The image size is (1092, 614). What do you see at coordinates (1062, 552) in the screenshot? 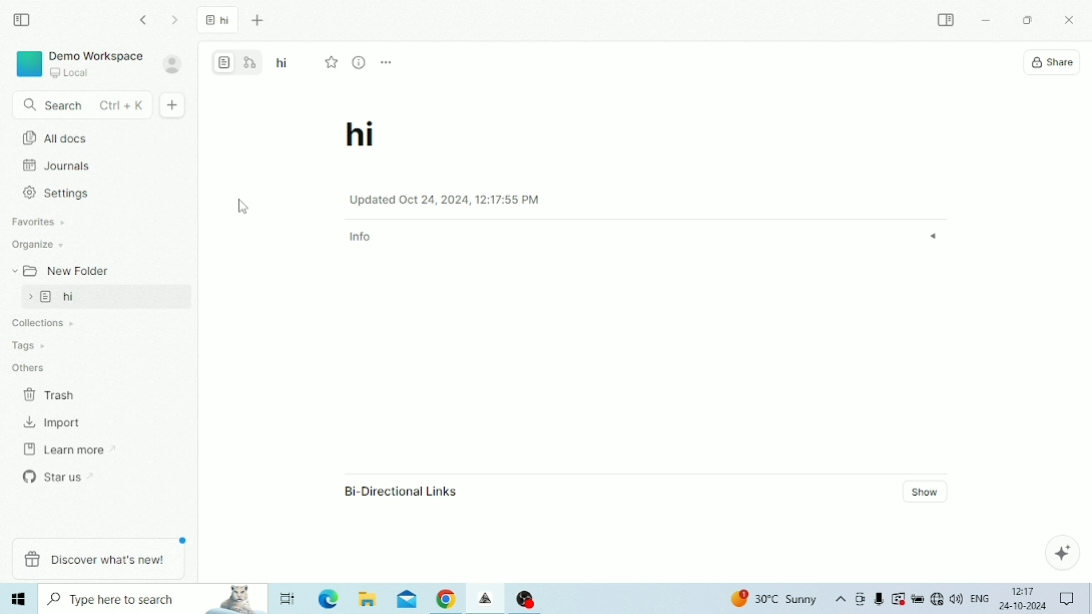
I see `Affine AI` at bounding box center [1062, 552].